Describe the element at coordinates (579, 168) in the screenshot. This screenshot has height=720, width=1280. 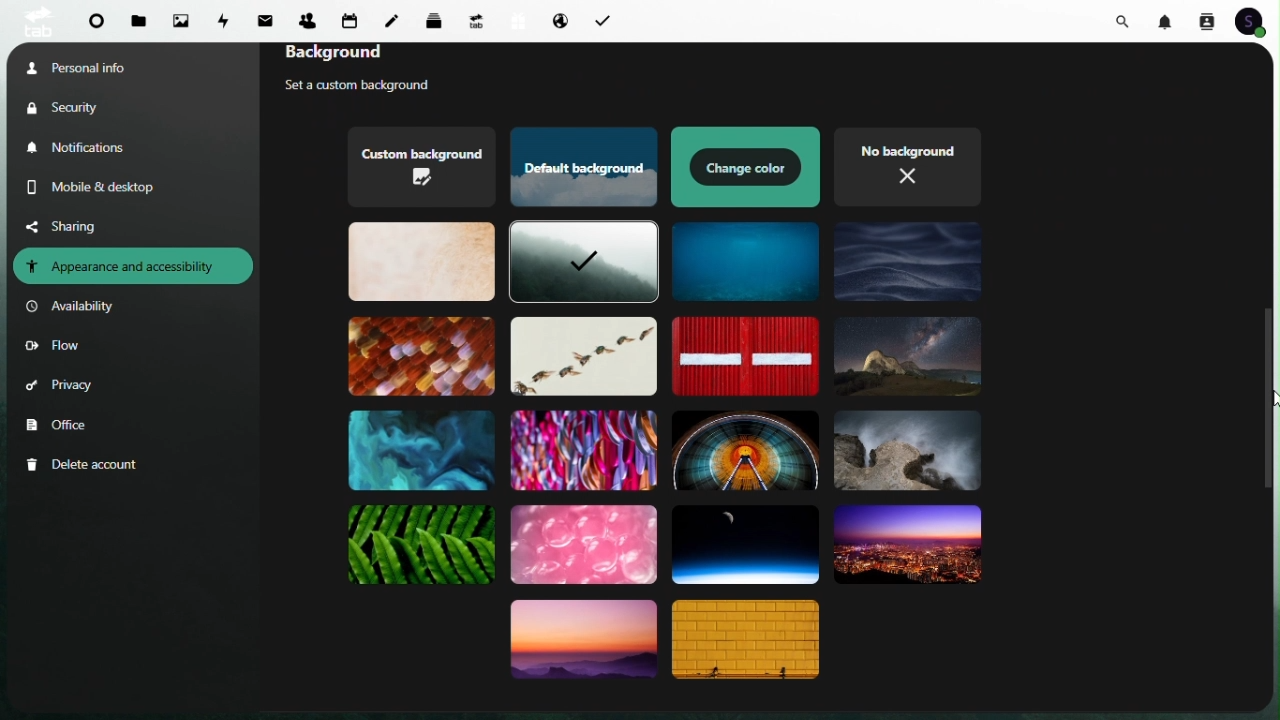
I see `Themes` at that location.